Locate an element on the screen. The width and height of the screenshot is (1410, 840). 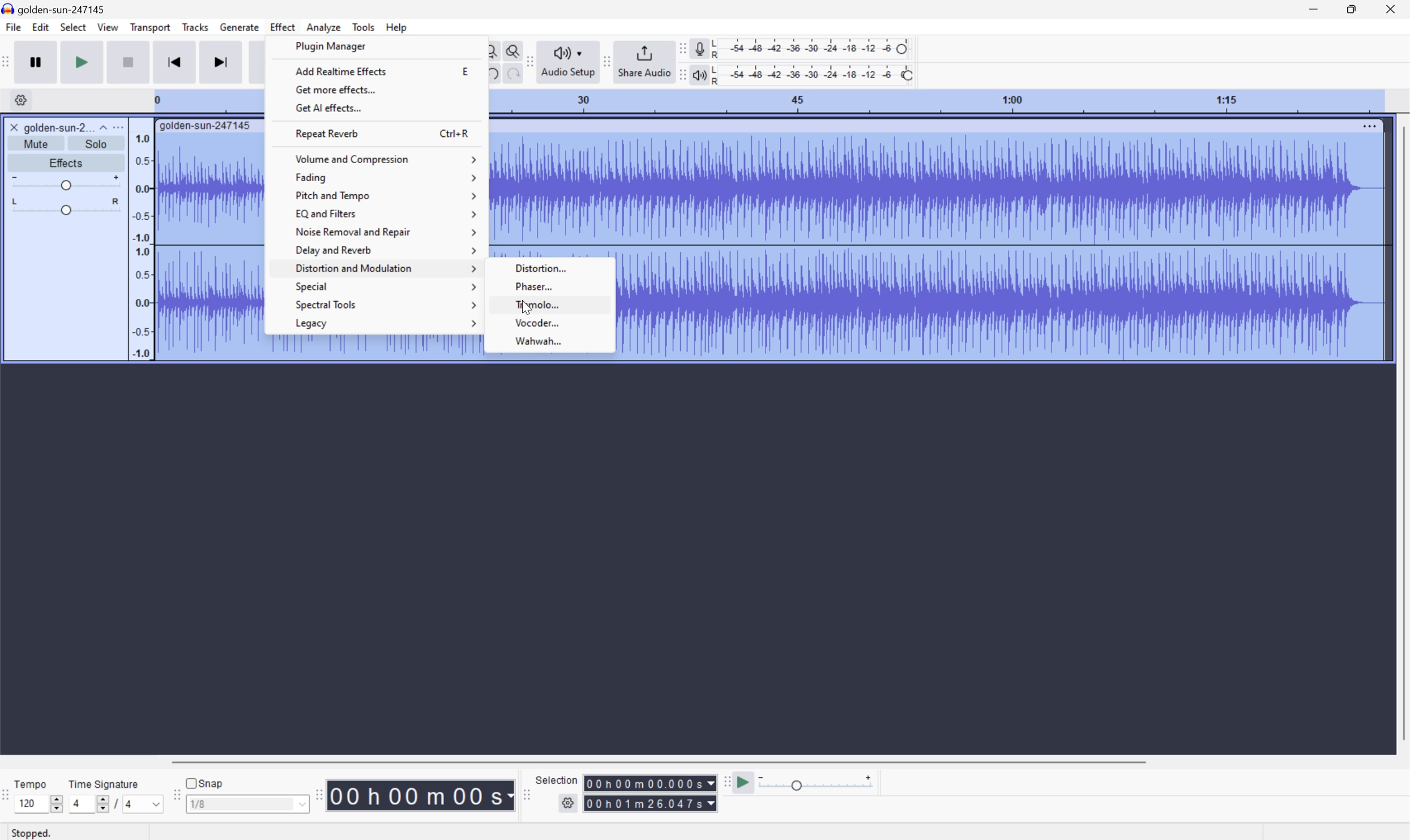
Scale is located at coordinates (936, 101).